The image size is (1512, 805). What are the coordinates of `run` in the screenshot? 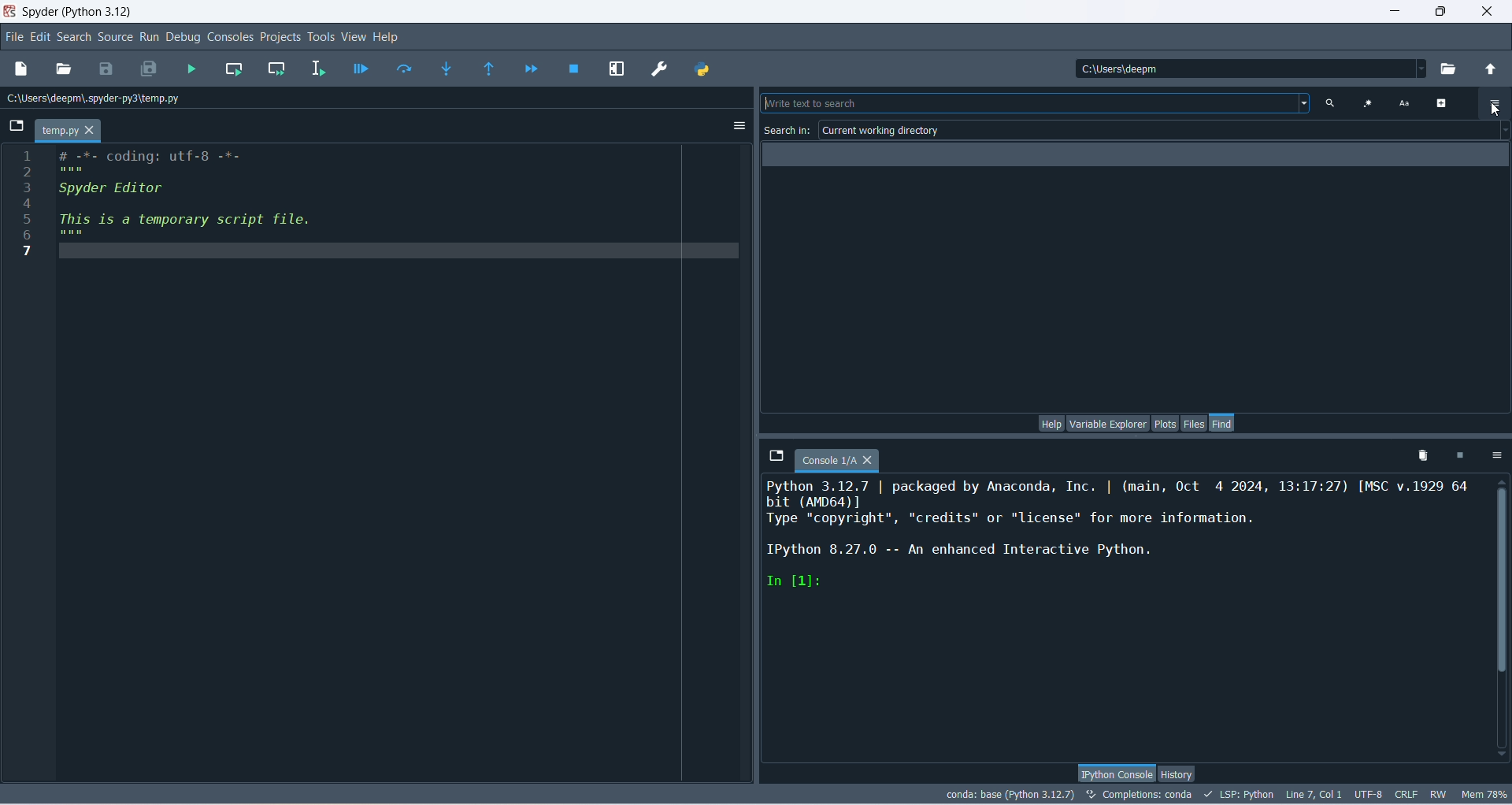 It's located at (150, 37).